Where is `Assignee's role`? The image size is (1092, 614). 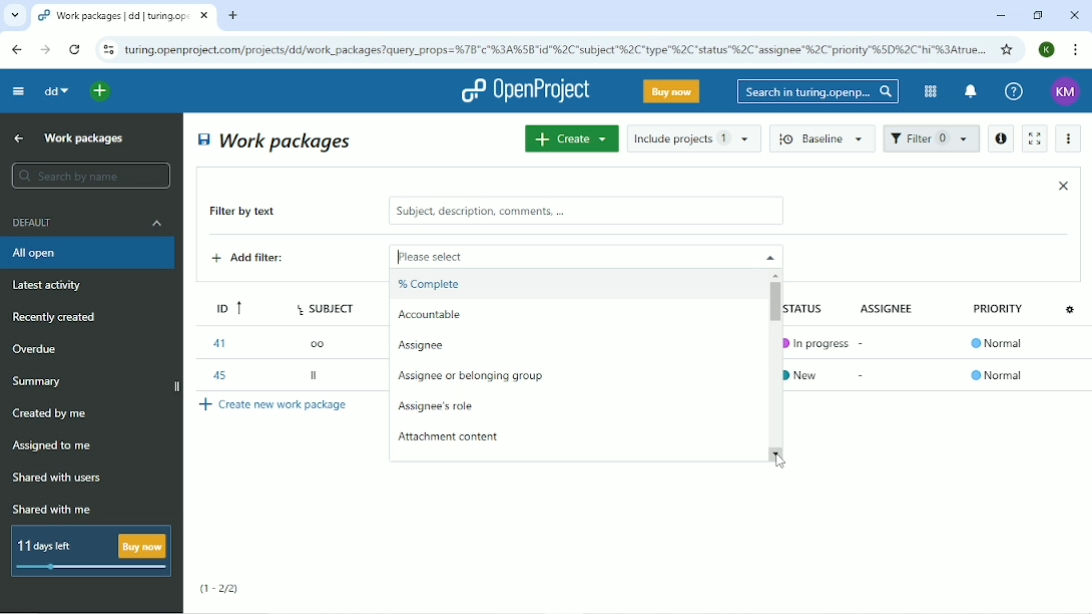
Assignee's role is located at coordinates (439, 407).